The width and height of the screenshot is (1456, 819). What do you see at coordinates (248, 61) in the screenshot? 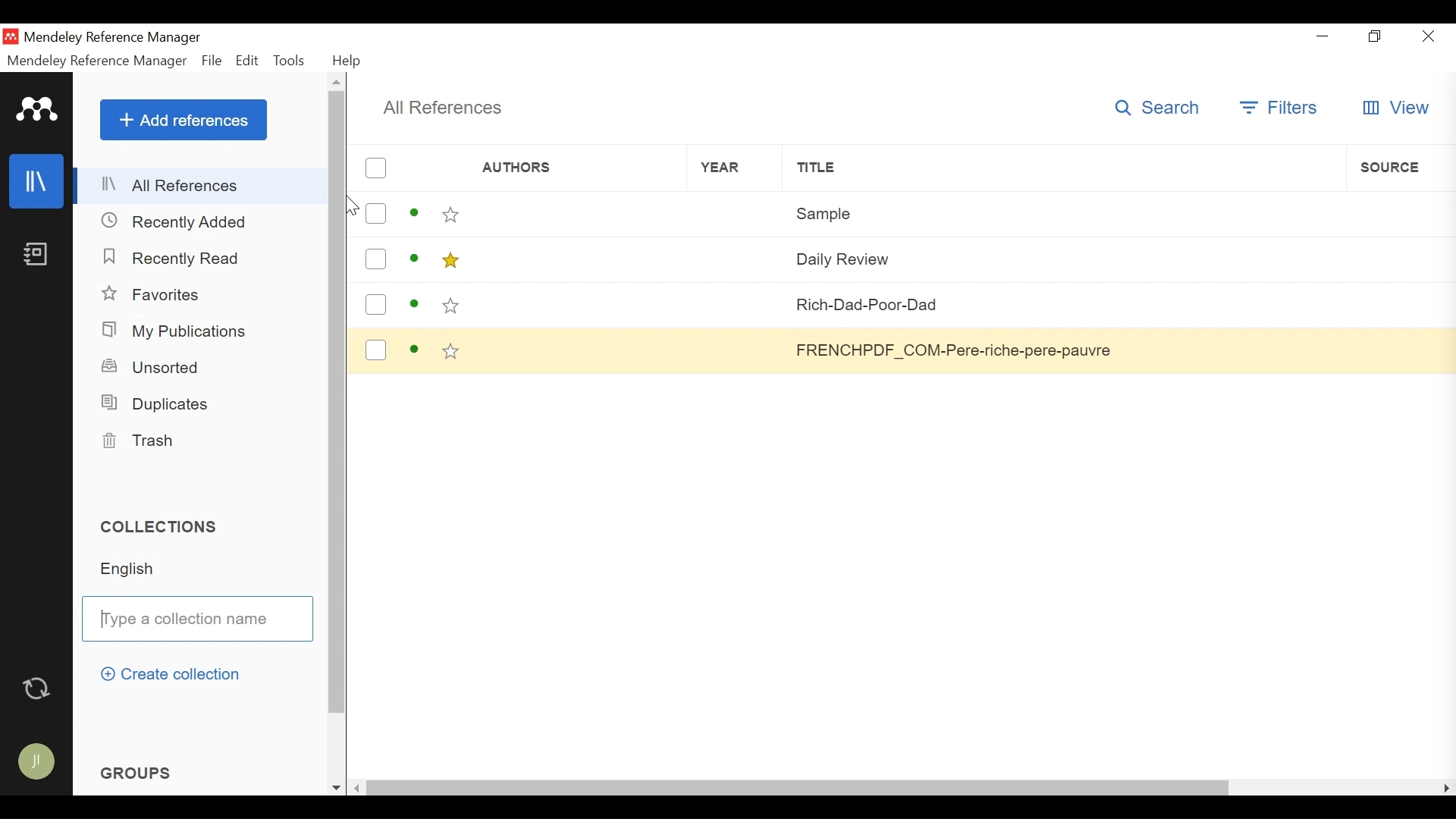
I see `Edit` at bounding box center [248, 61].